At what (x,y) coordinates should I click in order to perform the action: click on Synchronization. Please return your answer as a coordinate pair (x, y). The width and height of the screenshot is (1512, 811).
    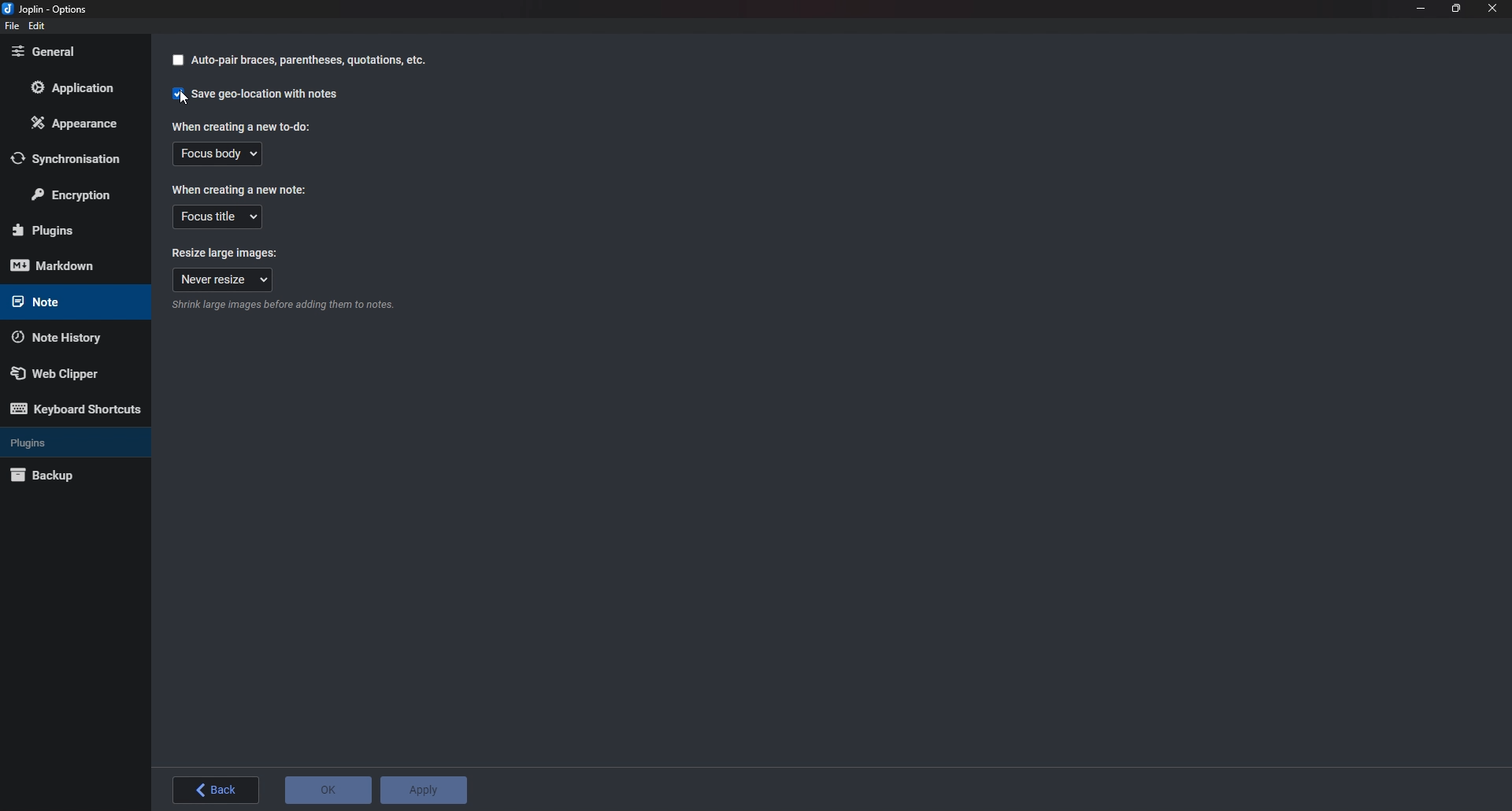
    Looking at the image, I should click on (69, 159).